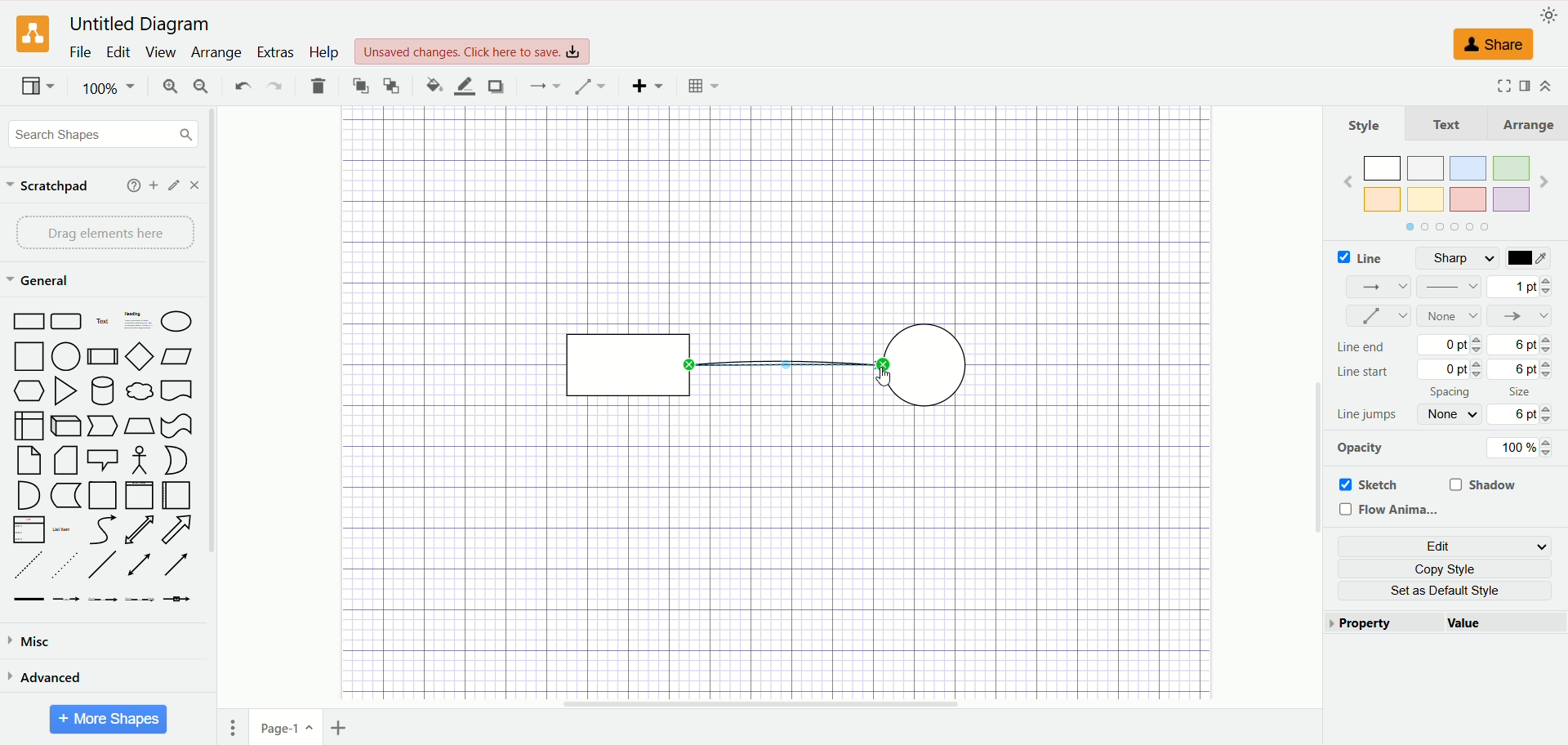 The height and width of the screenshot is (745, 1568). What do you see at coordinates (176, 356) in the screenshot?
I see `Parallelogram` at bounding box center [176, 356].